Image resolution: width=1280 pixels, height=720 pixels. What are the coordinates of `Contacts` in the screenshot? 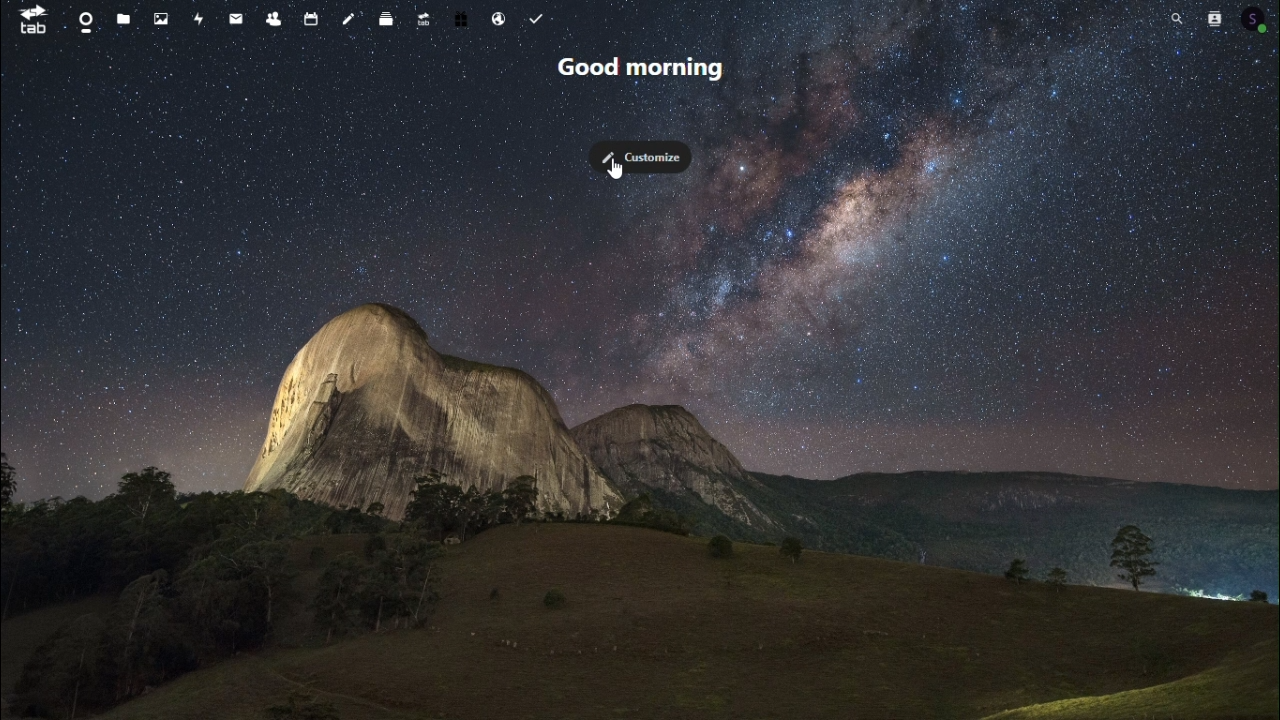 It's located at (278, 15).